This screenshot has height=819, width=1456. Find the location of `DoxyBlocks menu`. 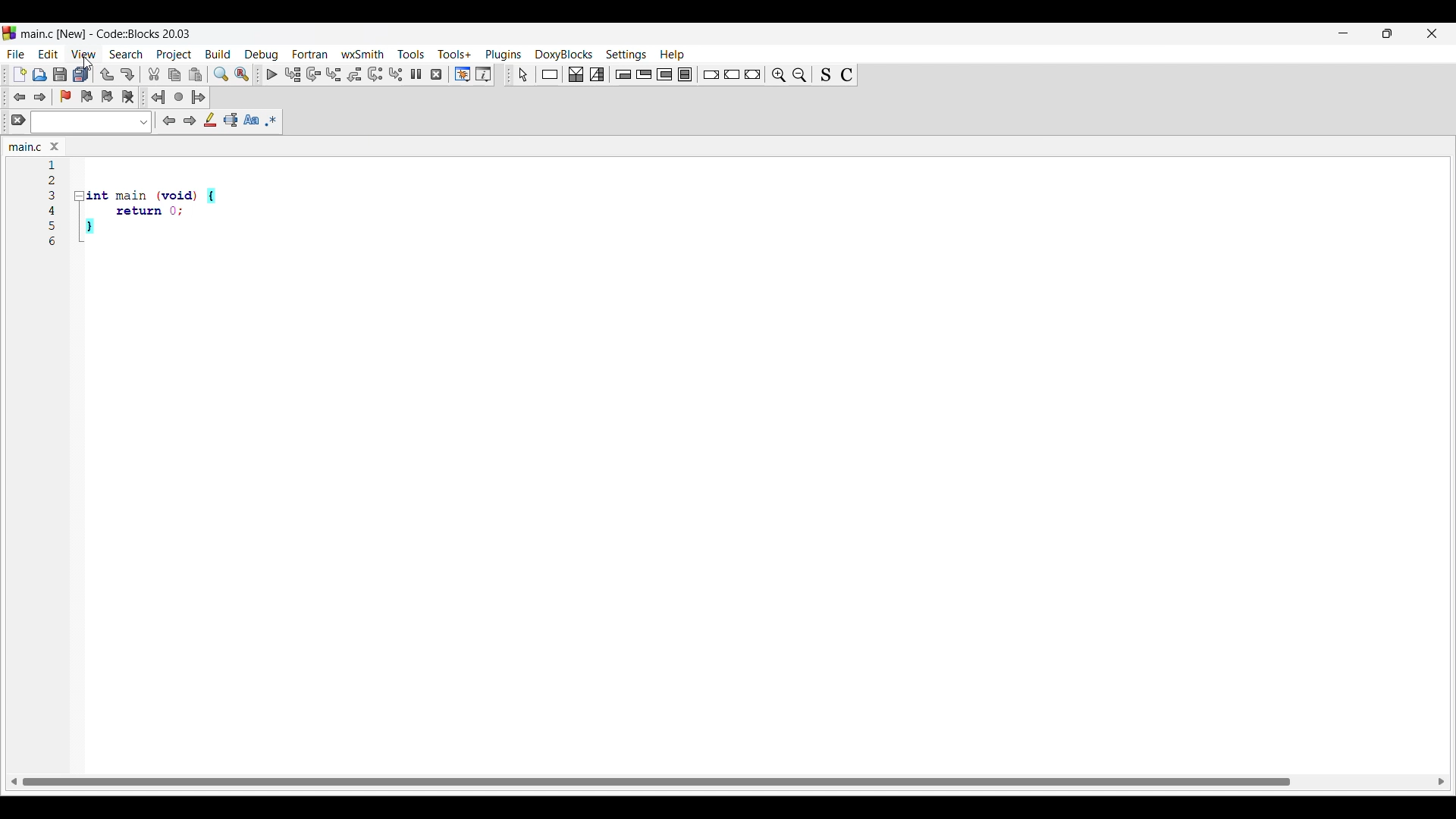

DoxyBlocks menu is located at coordinates (563, 55).